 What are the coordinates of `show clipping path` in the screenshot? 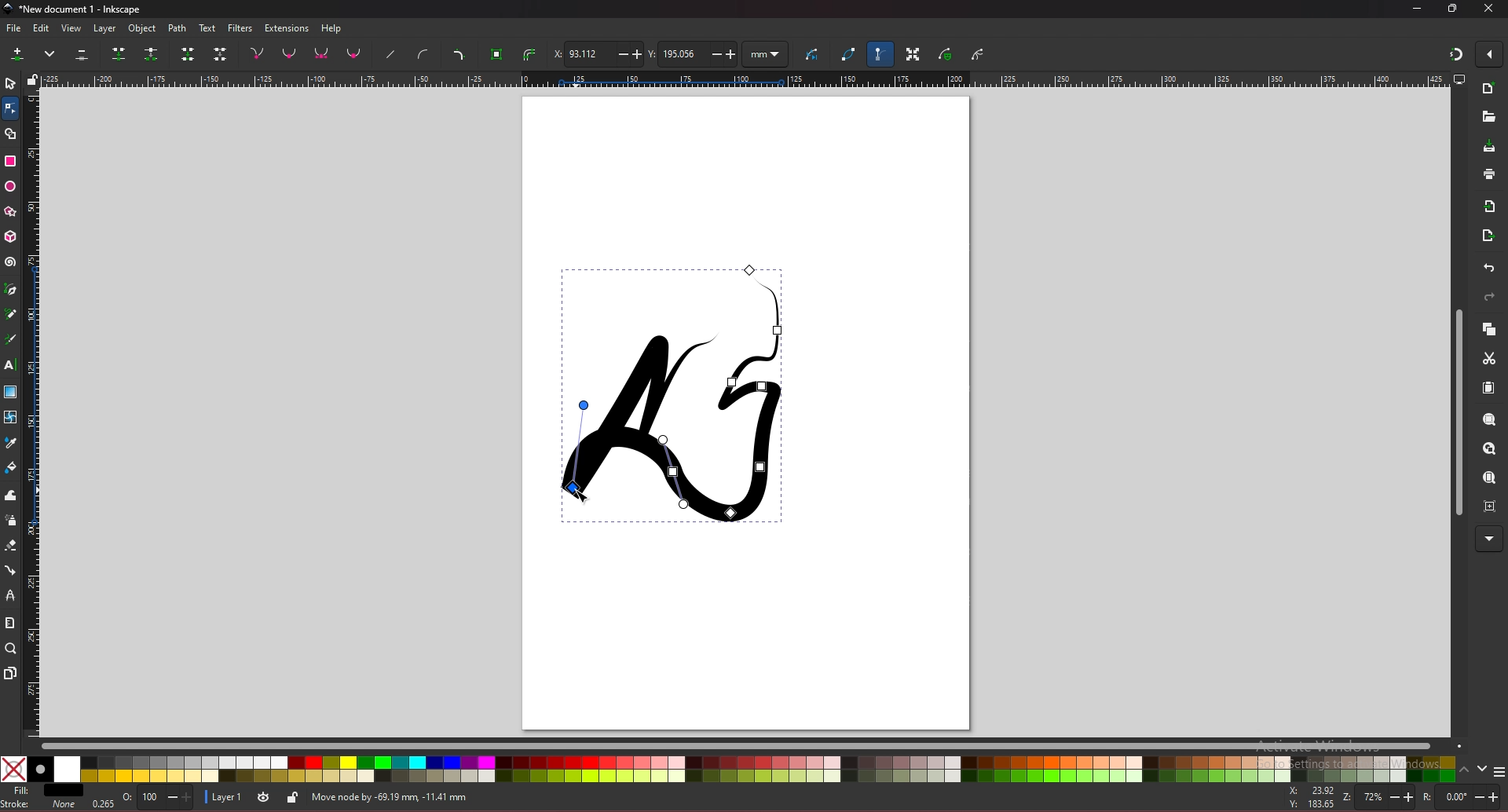 It's located at (978, 56).